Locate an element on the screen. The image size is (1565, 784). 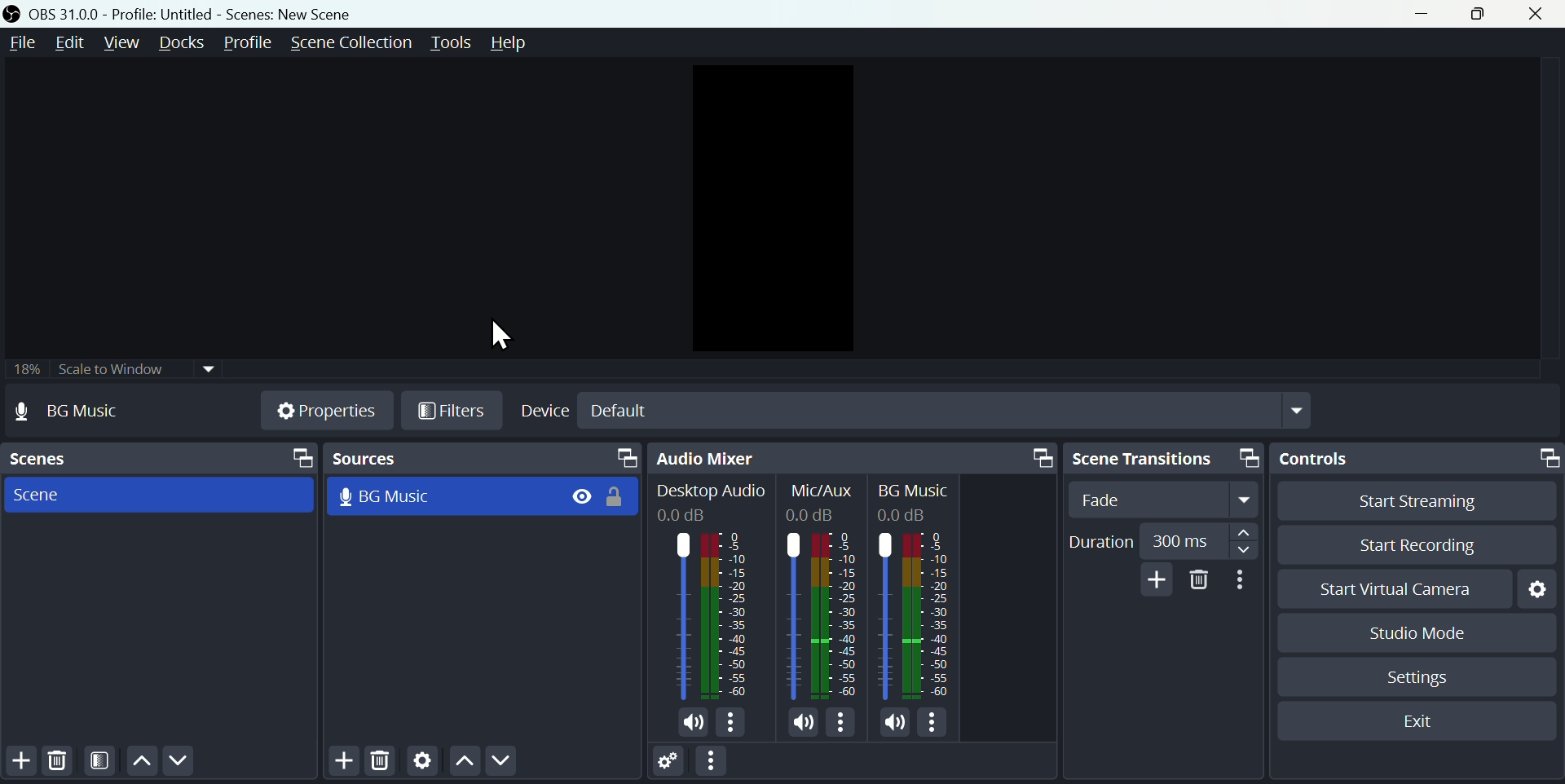
fade is located at coordinates (1170, 500).